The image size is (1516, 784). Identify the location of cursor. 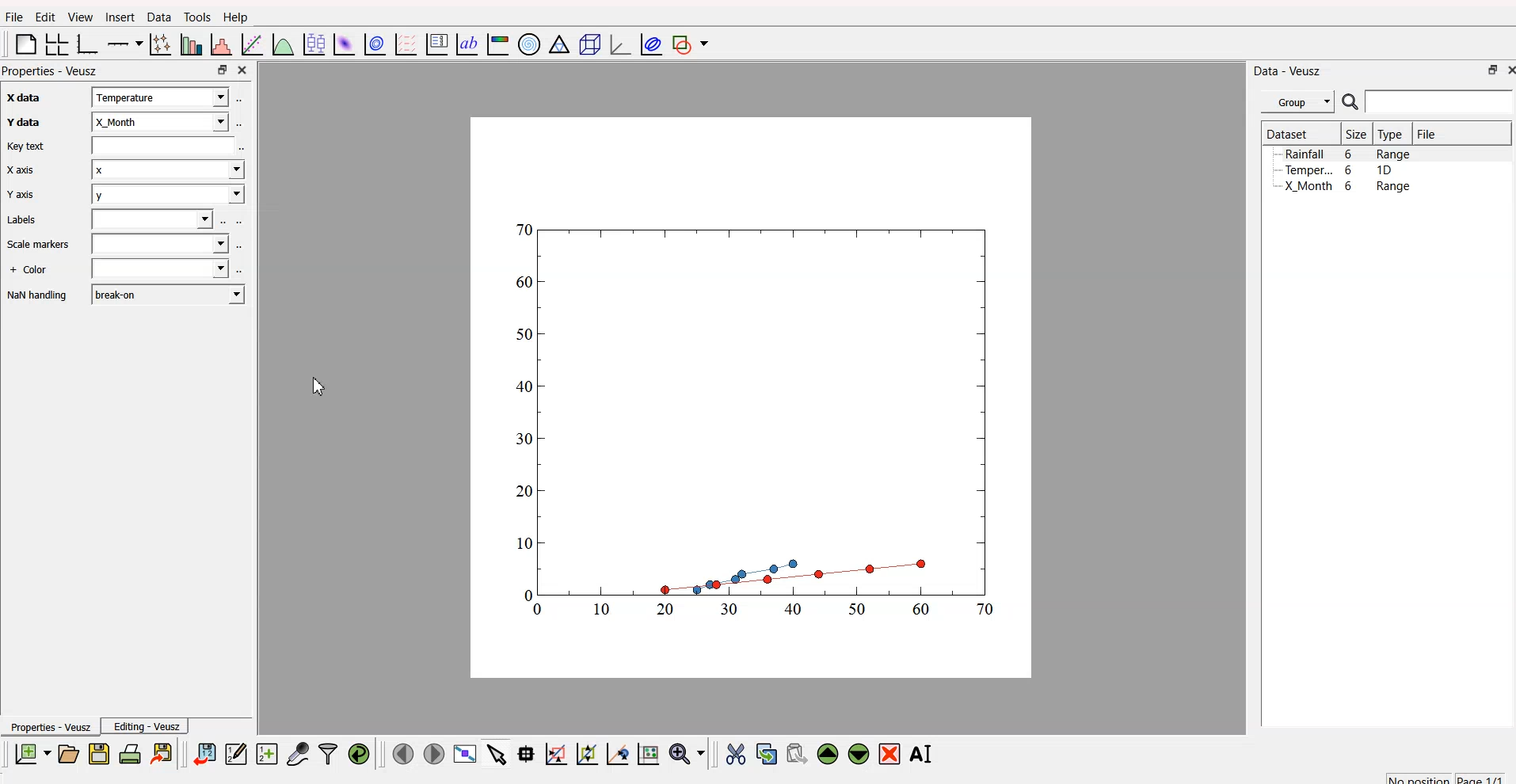
(317, 383).